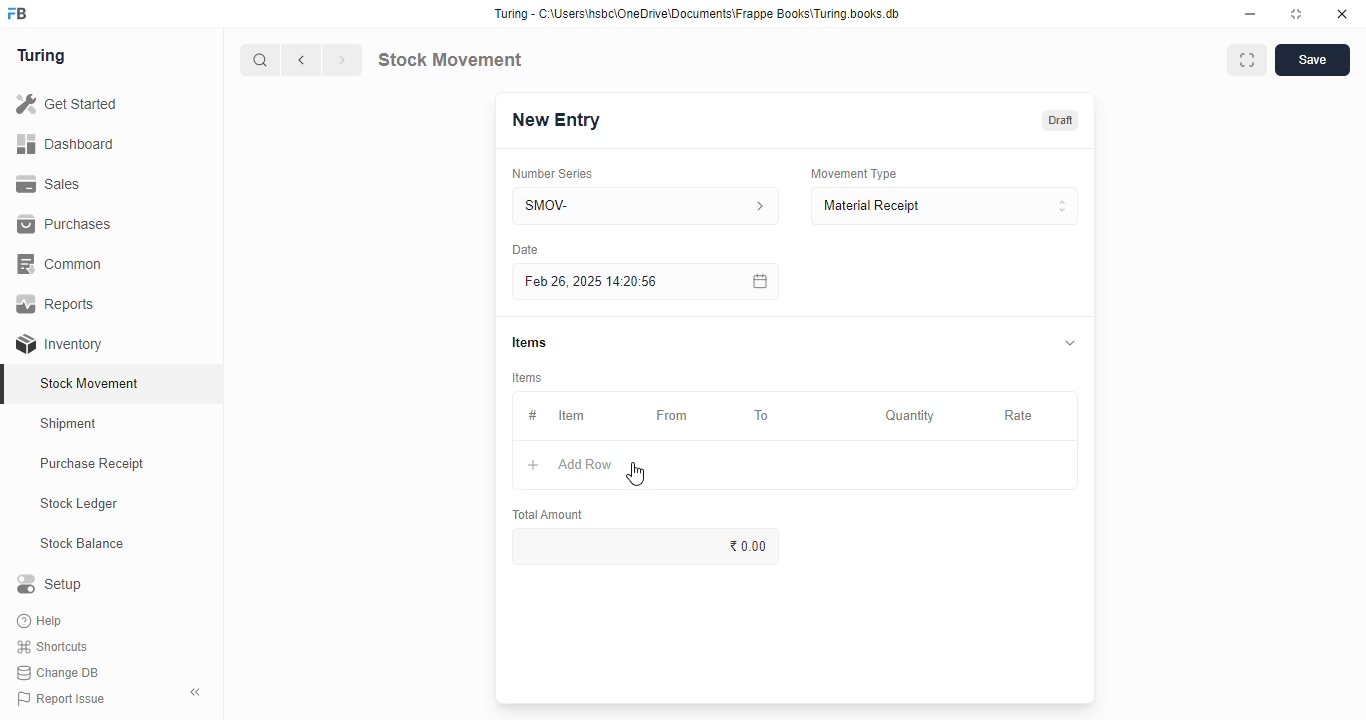 Image resolution: width=1366 pixels, height=720 pixels. I want to click on purchases, so click(64, 224).